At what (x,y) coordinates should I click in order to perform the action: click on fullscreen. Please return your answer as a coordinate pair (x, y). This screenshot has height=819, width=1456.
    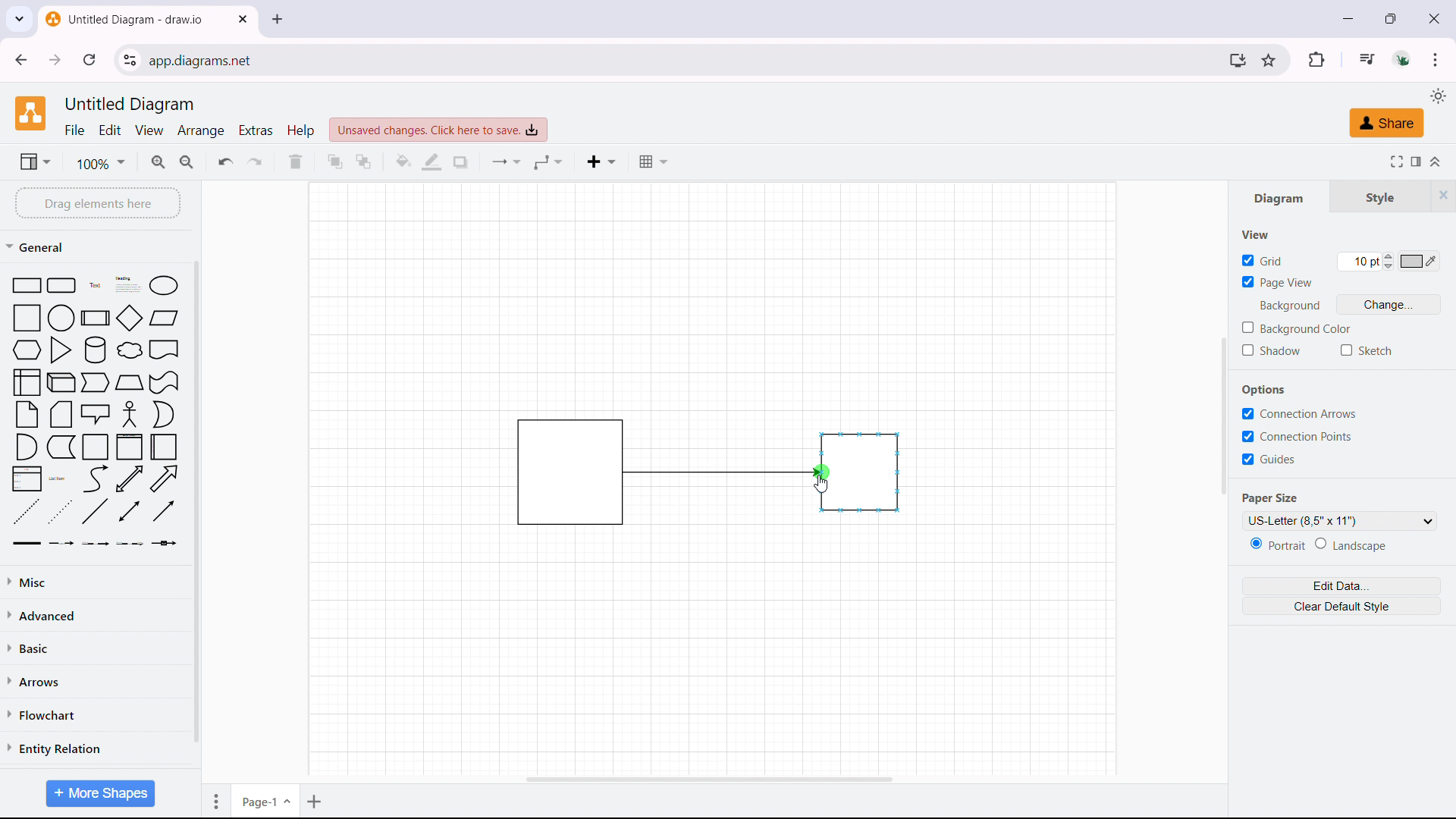
    Looking at the image, I should click on (1394, 161).